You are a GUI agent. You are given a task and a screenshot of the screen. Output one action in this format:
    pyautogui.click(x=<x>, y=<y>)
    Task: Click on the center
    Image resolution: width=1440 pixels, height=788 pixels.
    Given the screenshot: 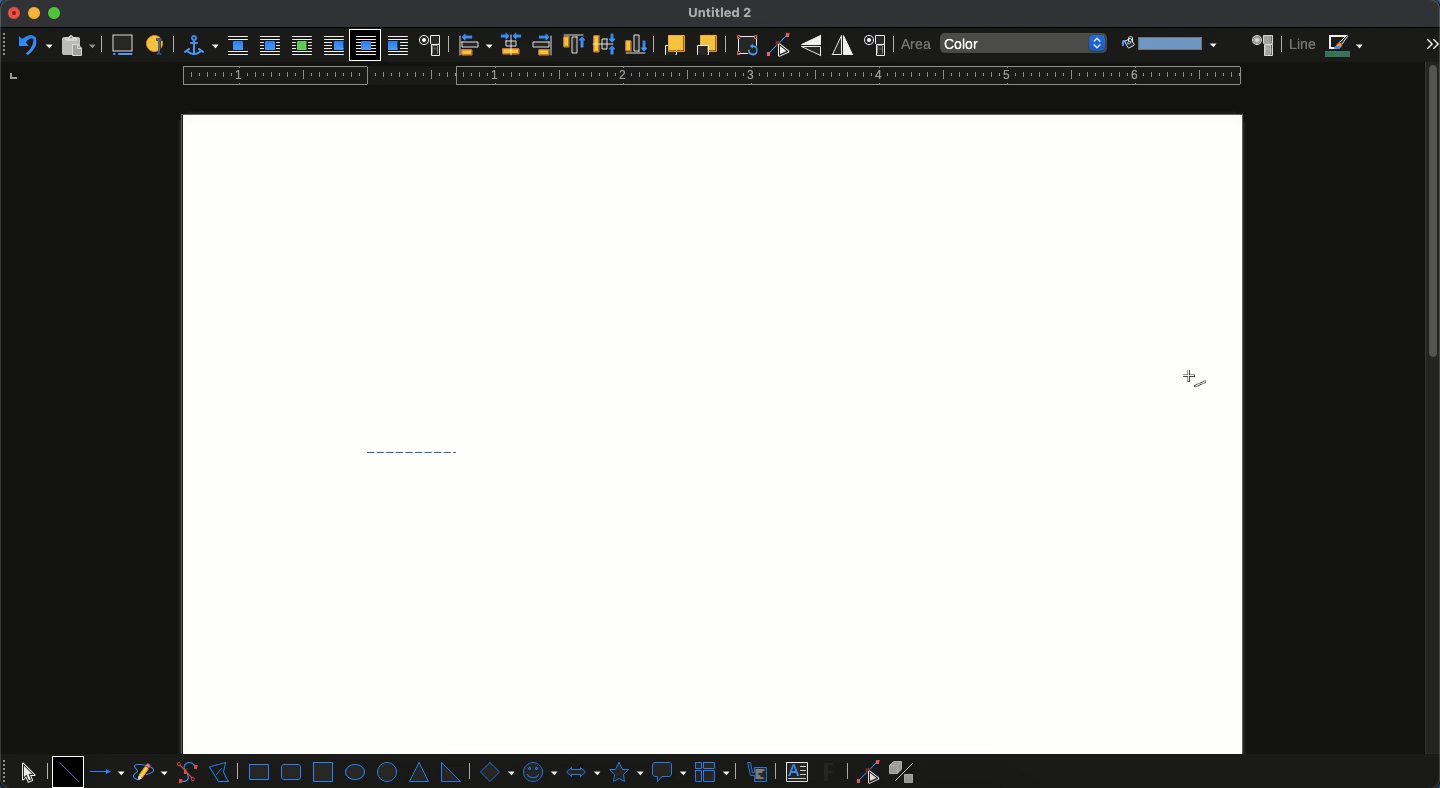 What is the action you would take?
    pyautogui.click(x=511, y=44)
    